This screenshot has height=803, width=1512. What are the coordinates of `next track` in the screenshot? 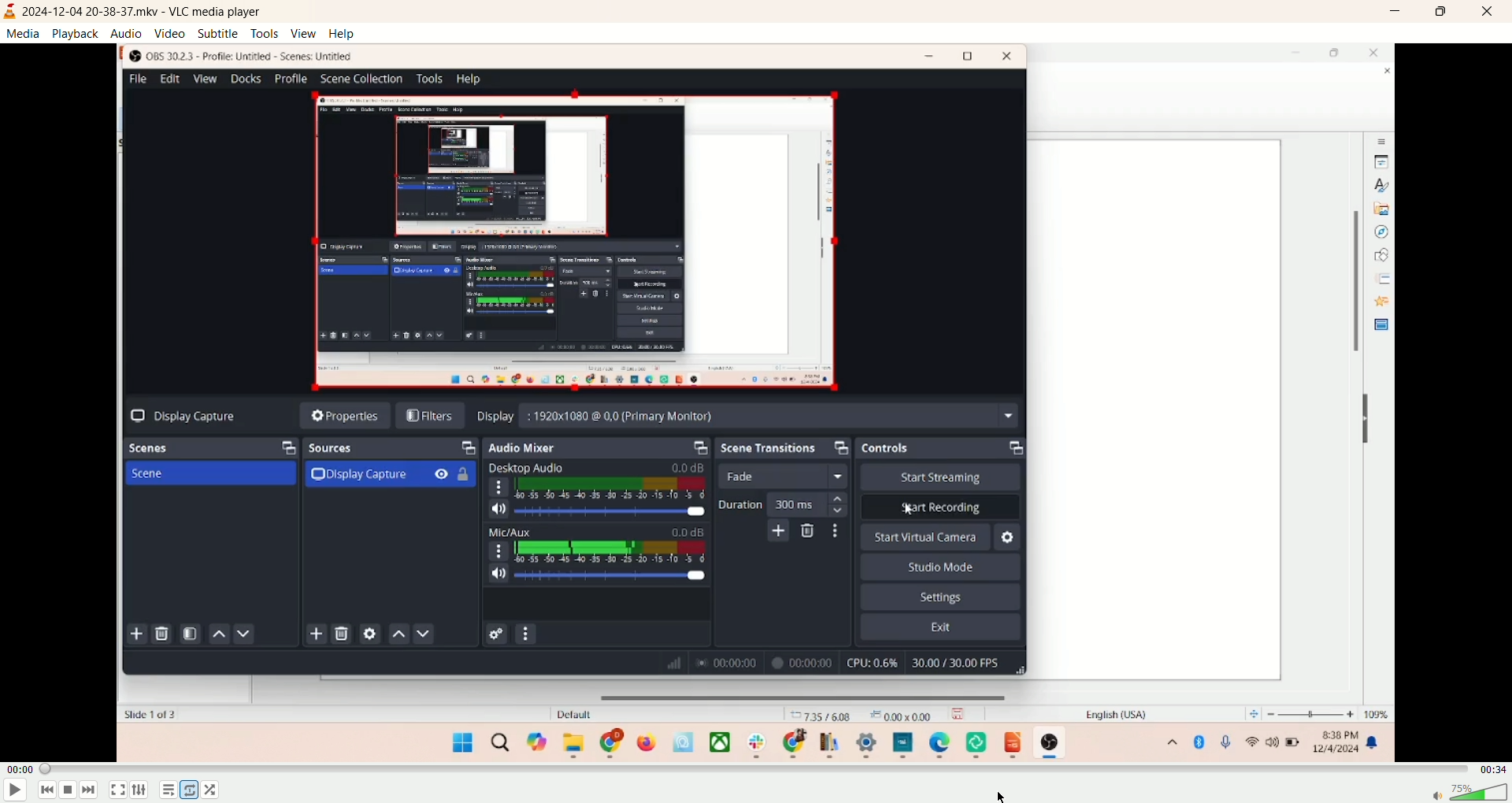 It's located at (89, 790).